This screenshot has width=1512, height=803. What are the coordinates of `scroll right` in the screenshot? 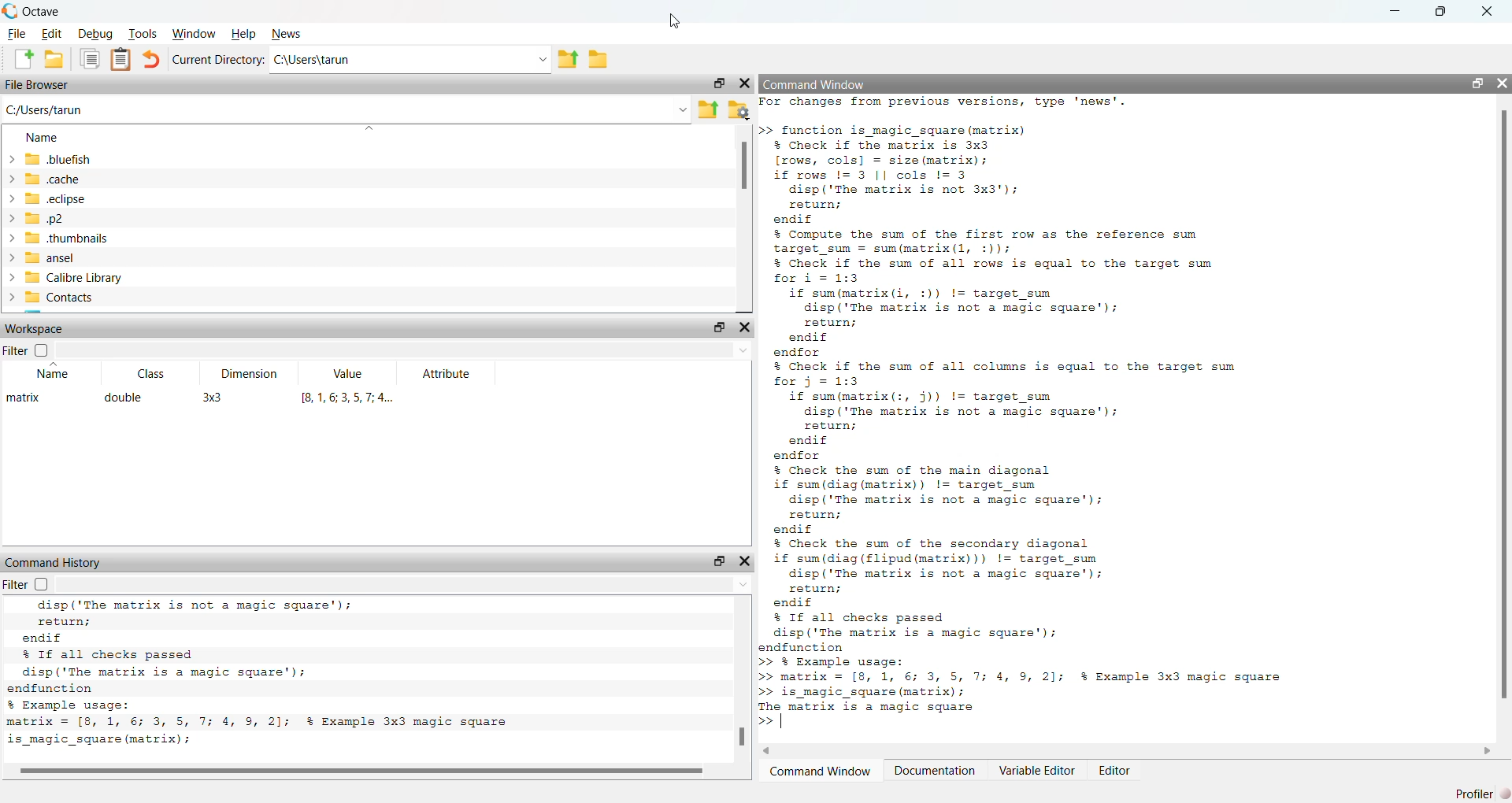 It's located at (1488, 752).